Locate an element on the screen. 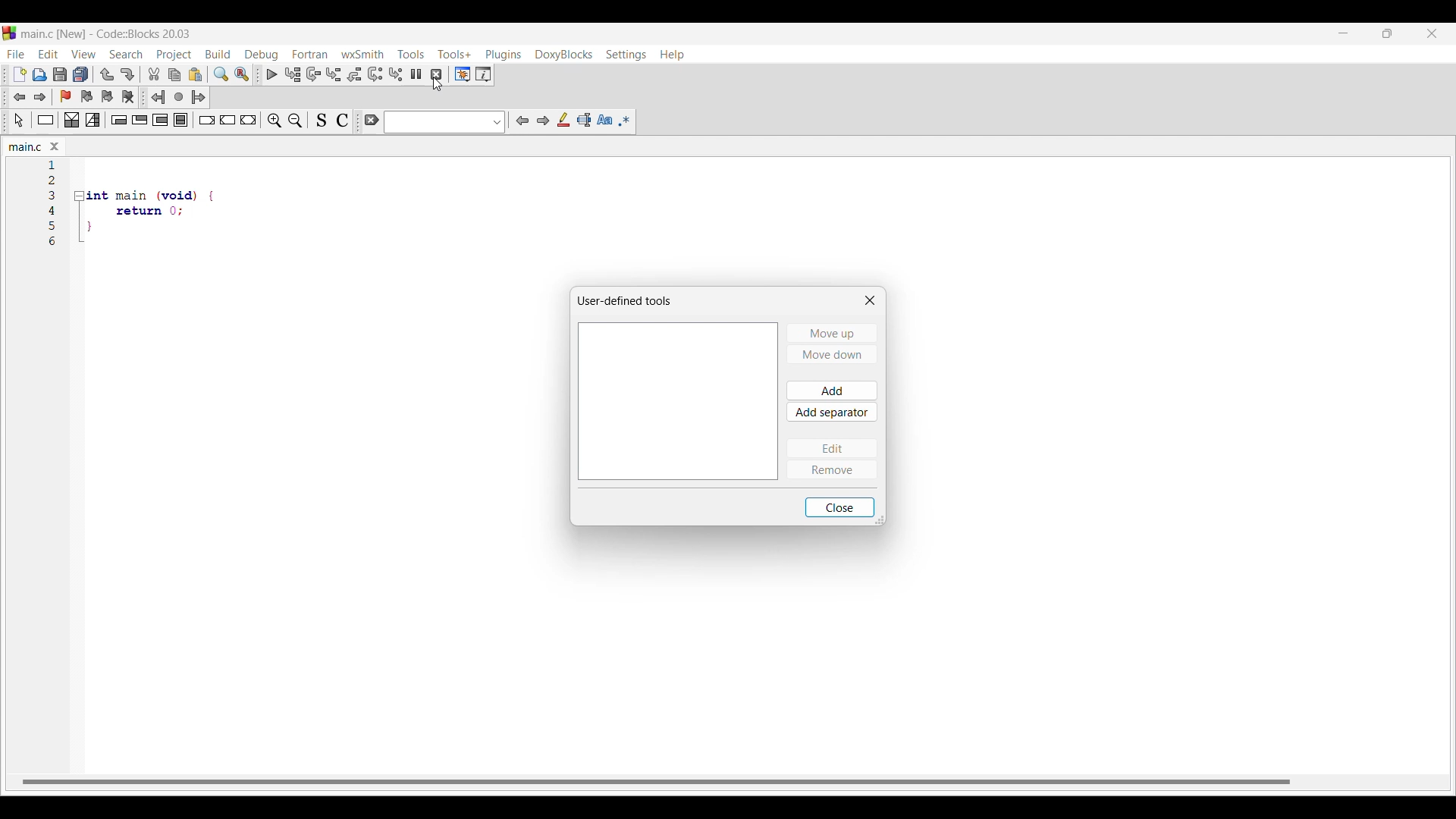 The width and height of the screenshot is (1456, 819). Various info is located at coordinates (483, 74).